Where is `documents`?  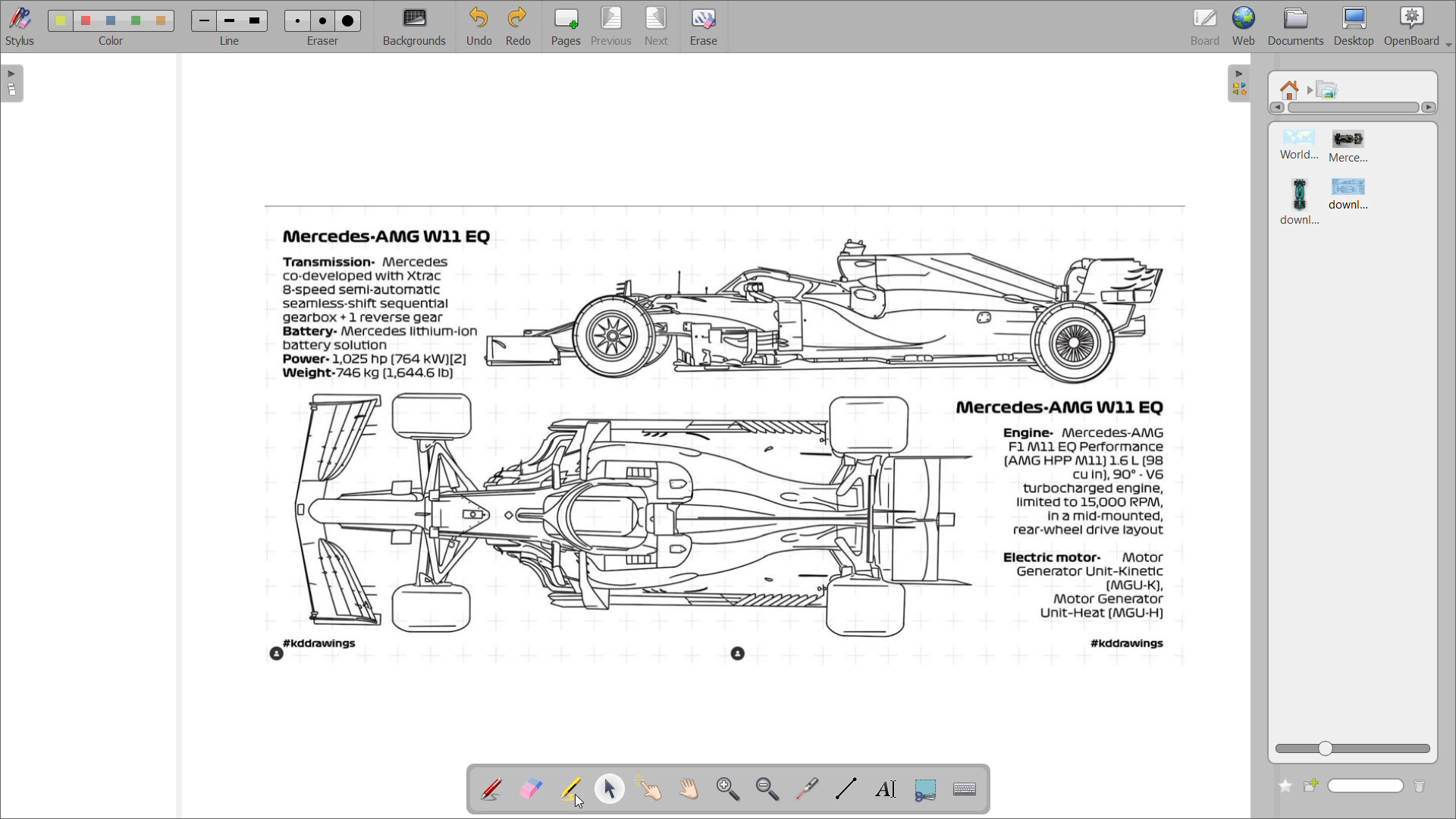
documents is located at coordinates (1299, 27).